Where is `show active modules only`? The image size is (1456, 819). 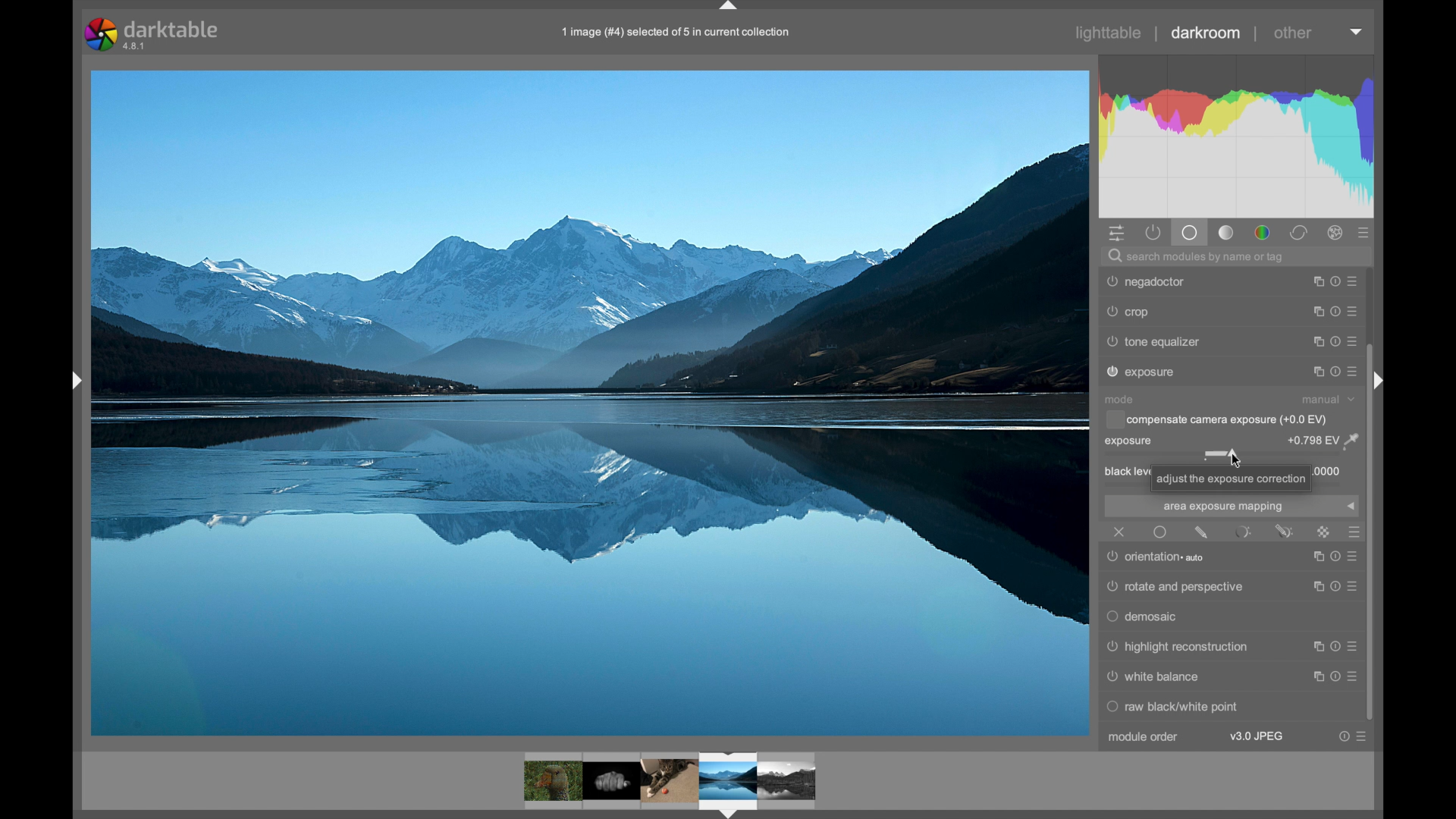 show active modules only is located at coordinates (1153, 233).